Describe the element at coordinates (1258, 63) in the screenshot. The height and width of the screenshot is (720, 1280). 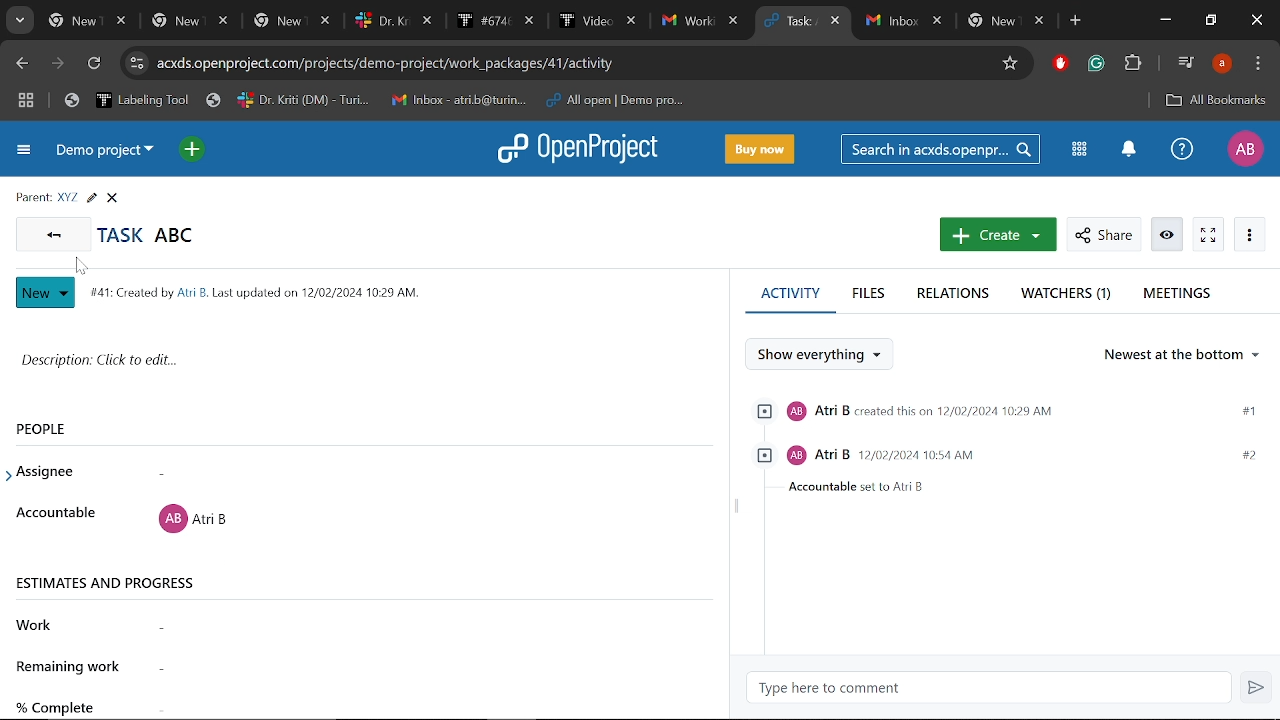
I see `Customize and control chrome` at that location.